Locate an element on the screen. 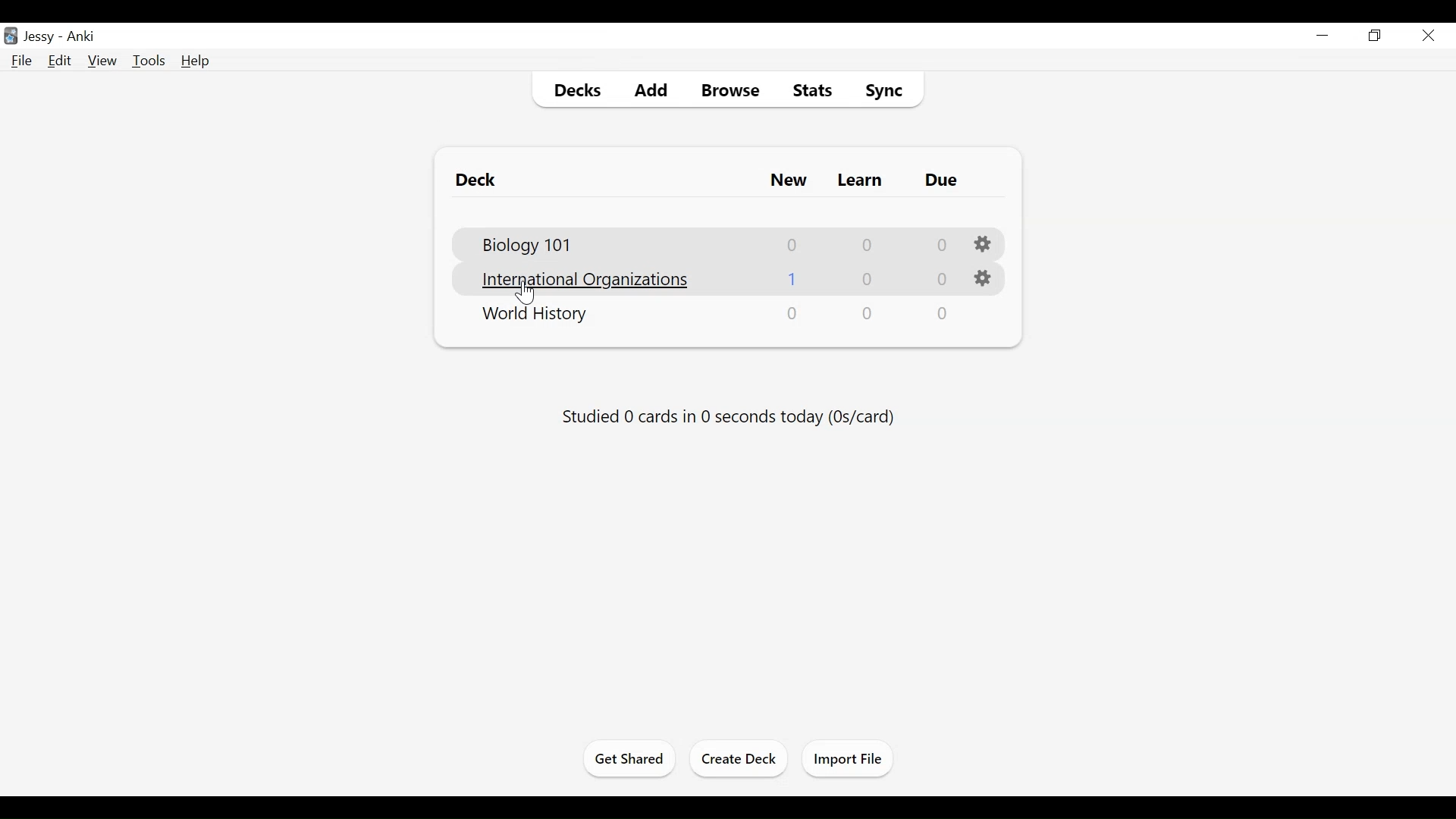 The width and height of the screenshot is (1456, 819). File is located at coordinates (22, 61).